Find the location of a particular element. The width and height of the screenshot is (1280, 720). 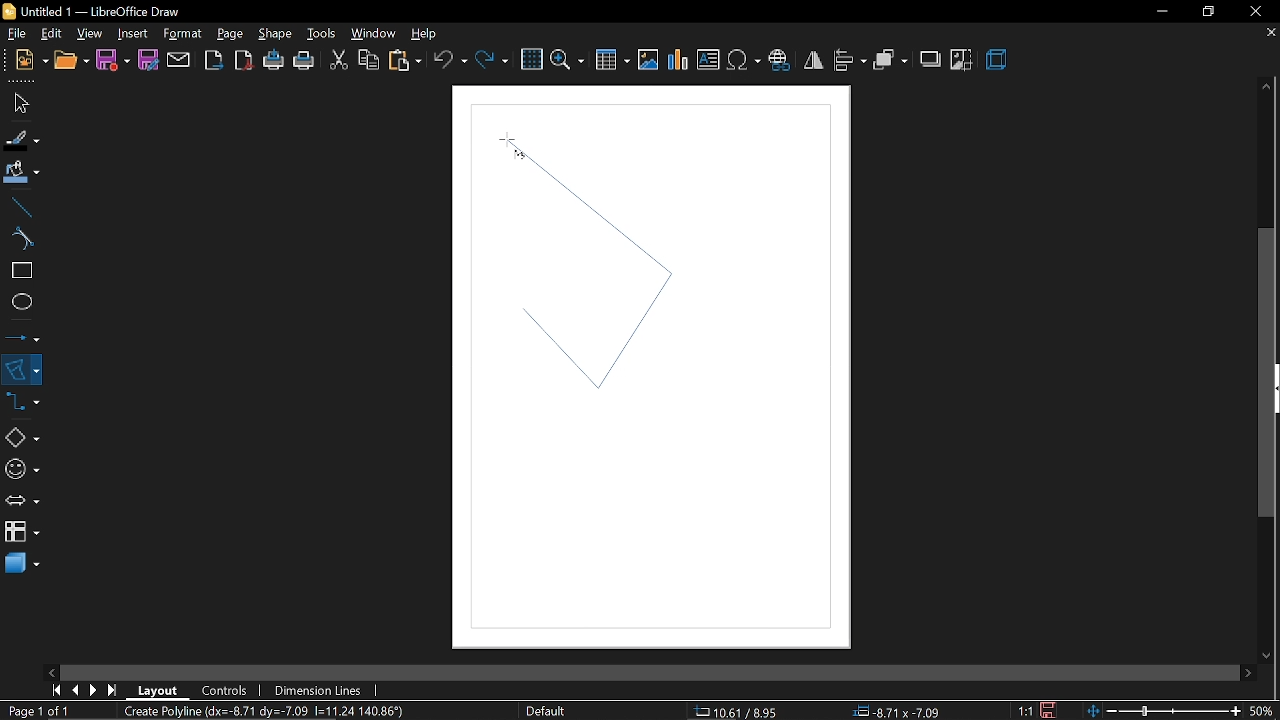

Cursor is located at coordinates (507, 142).